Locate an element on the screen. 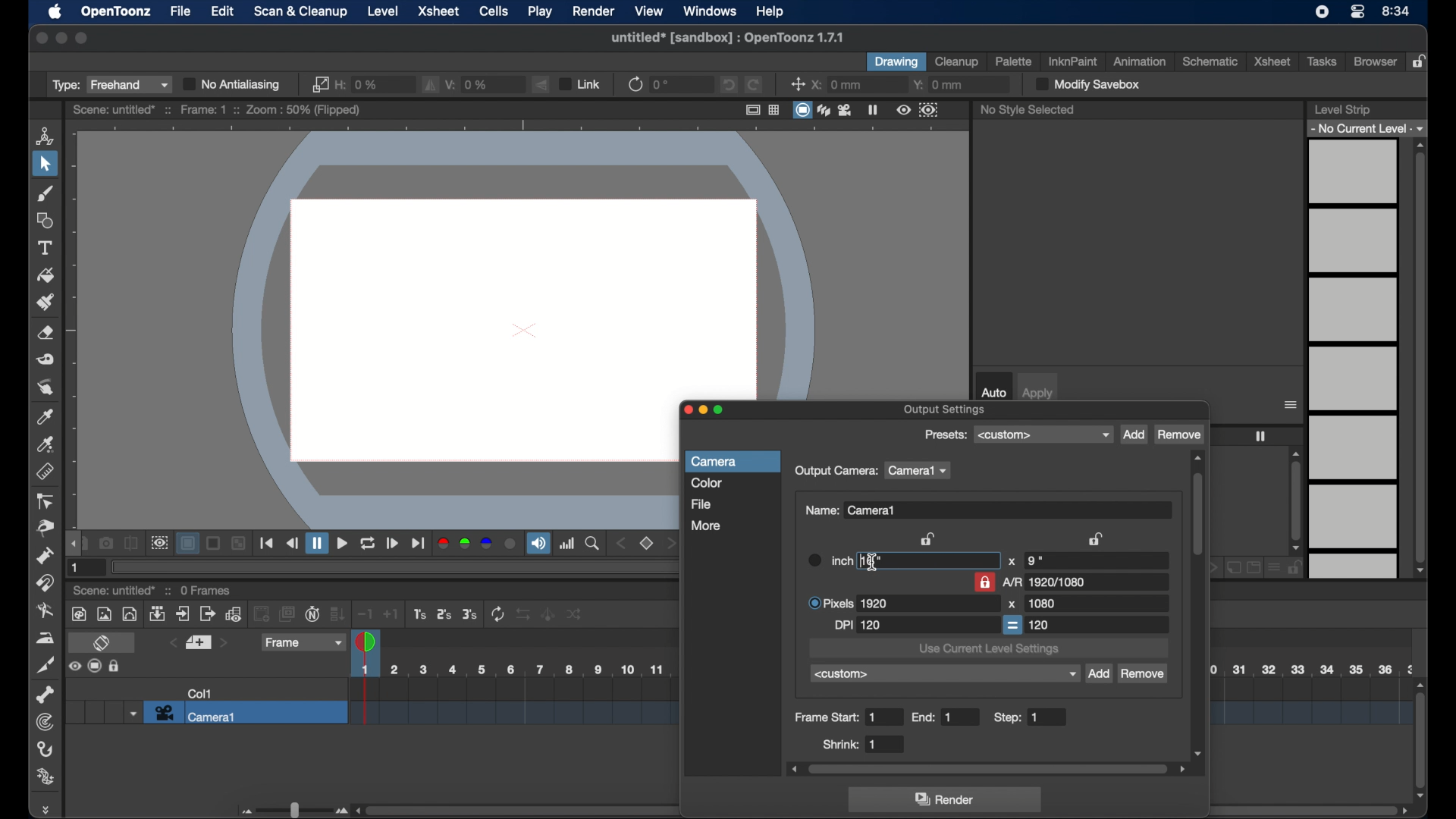   is located at coordinates (471, 613).